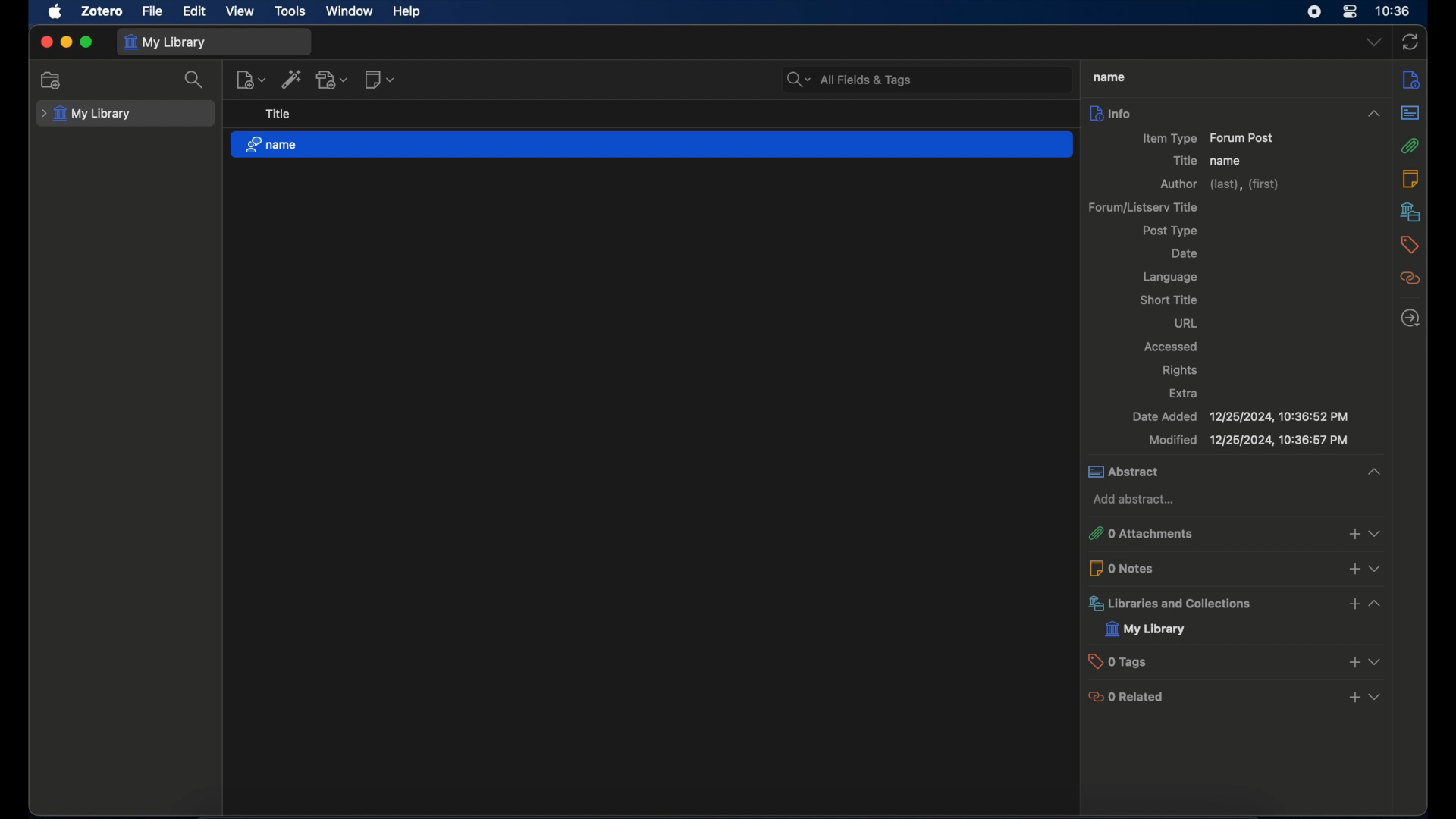  What do you see at coordinates (1144, 208) in the screenshot?
I see `forum/listerv` at bounding box center [1144, 208].